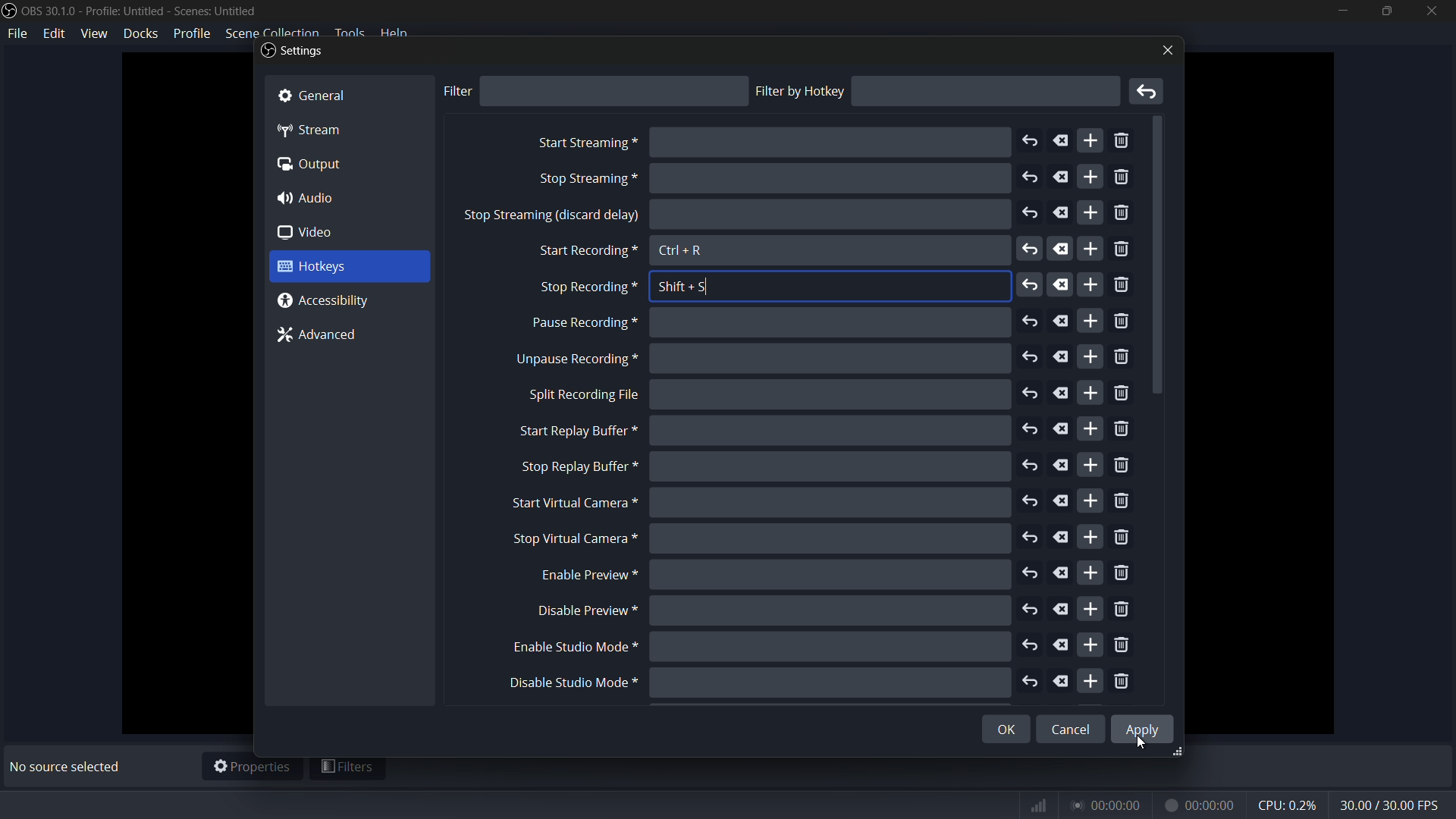 This screenshot has height=819, width=1456. What do you see at coordinates (571, 683) in the screenshot?
I see `disable studio mode` at bounding box center [571, 683].